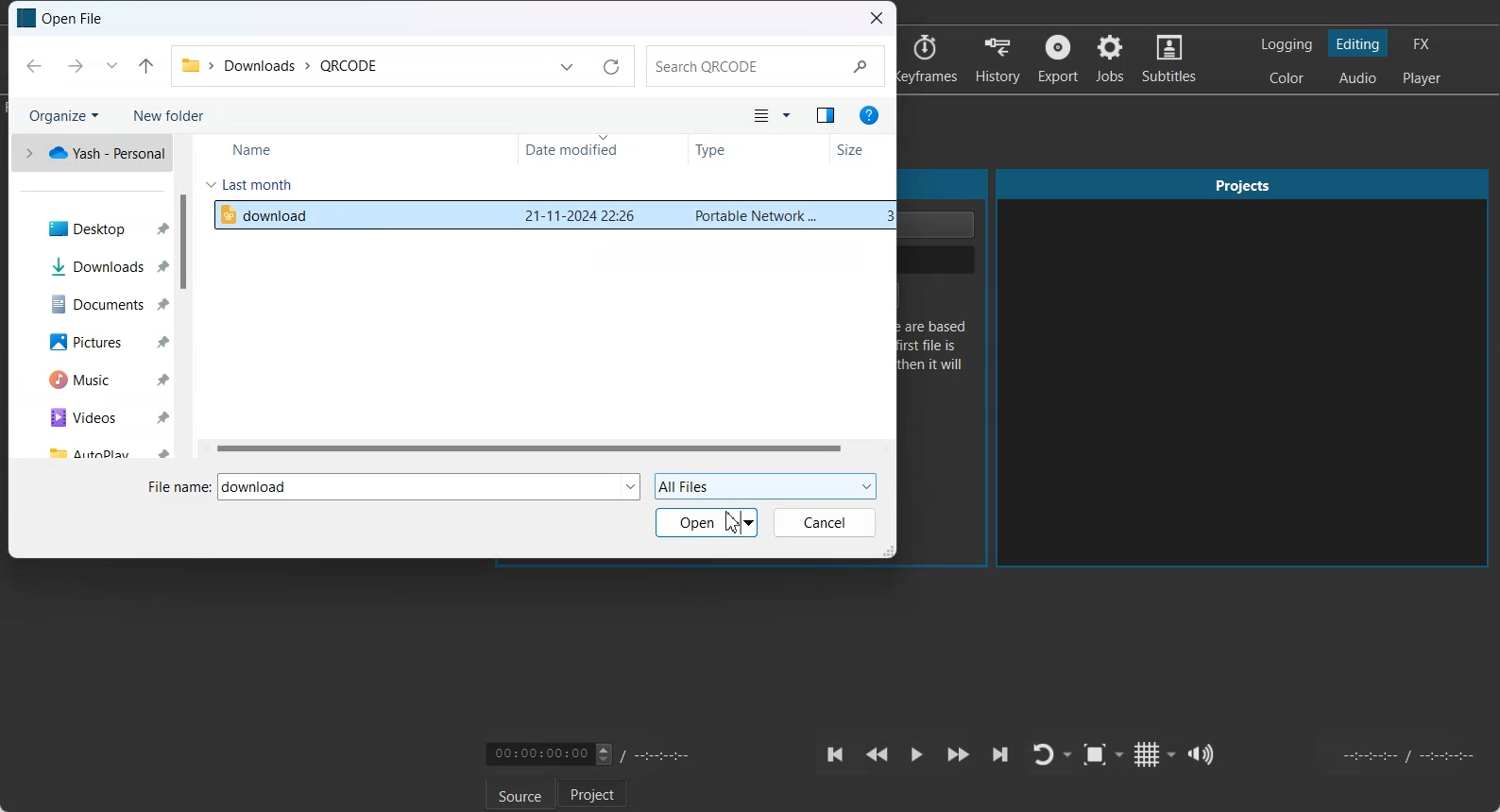 Image resolution: width=1500 pixels, height=812 pixels. What do you see at coordinates (707, 522) in the screenshot?
I see `Open` at bounding box center [707, 522].